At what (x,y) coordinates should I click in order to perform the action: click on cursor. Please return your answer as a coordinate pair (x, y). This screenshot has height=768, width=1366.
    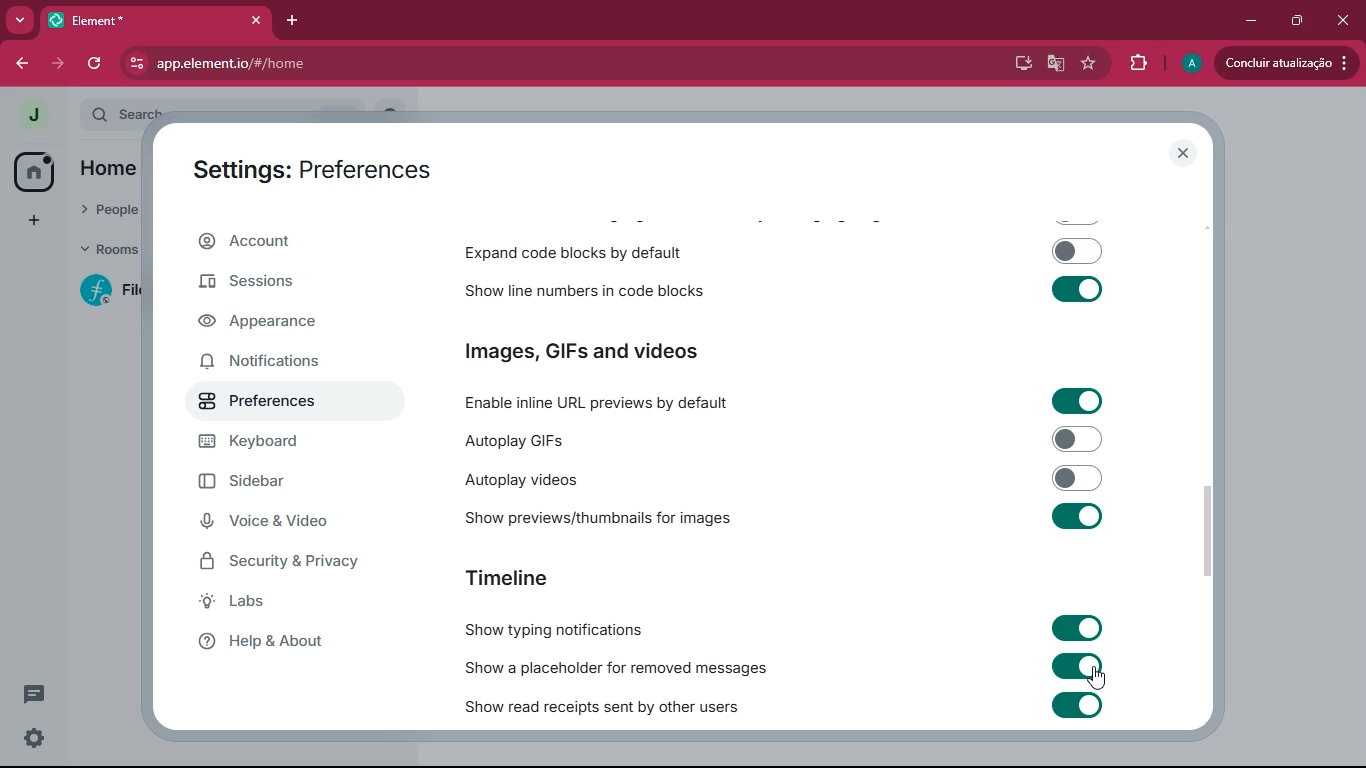
    Looking at the image, I should click on (1095, 678).